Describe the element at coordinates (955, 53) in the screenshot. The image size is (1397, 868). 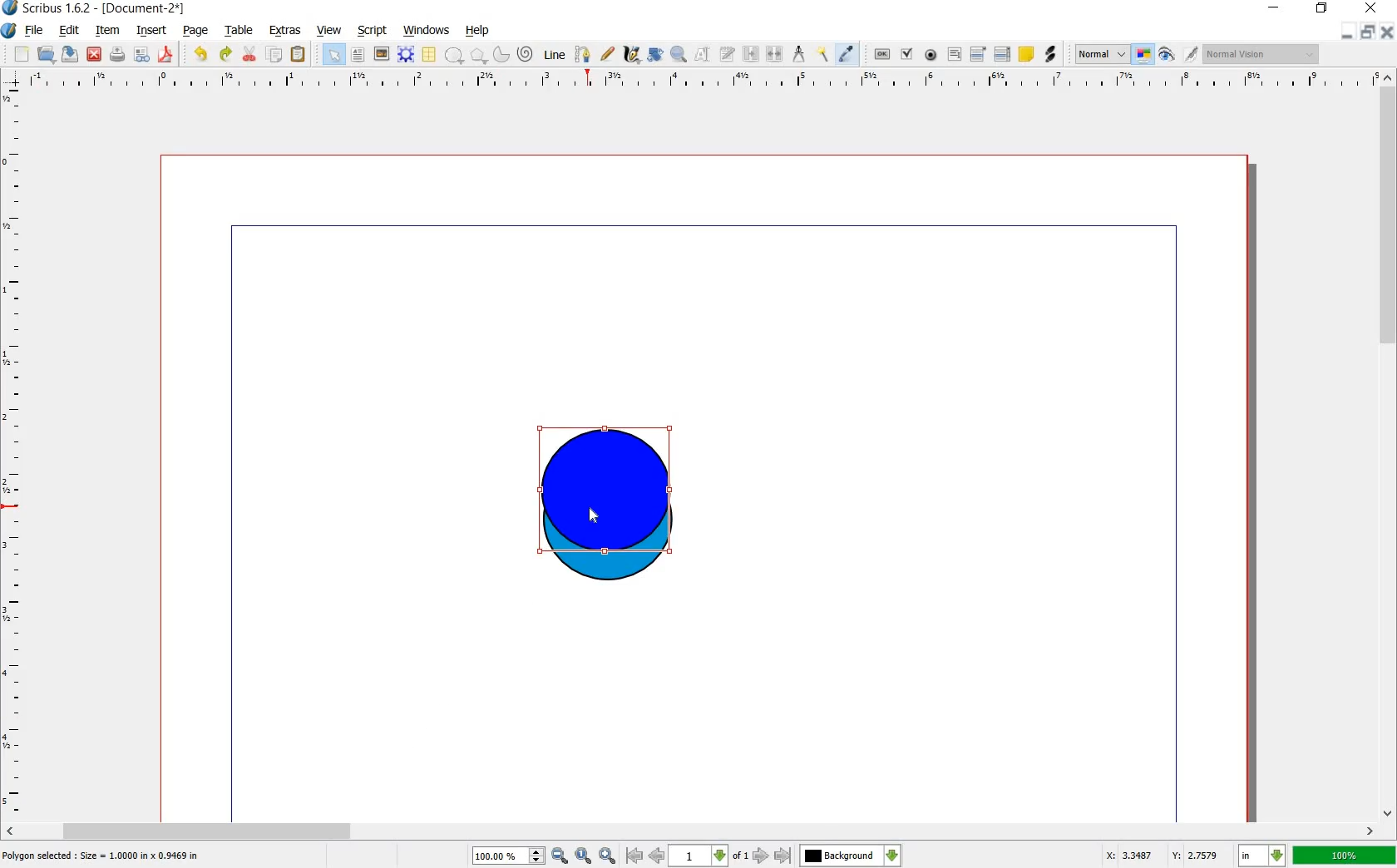
I see `pdf text fied` at that location.